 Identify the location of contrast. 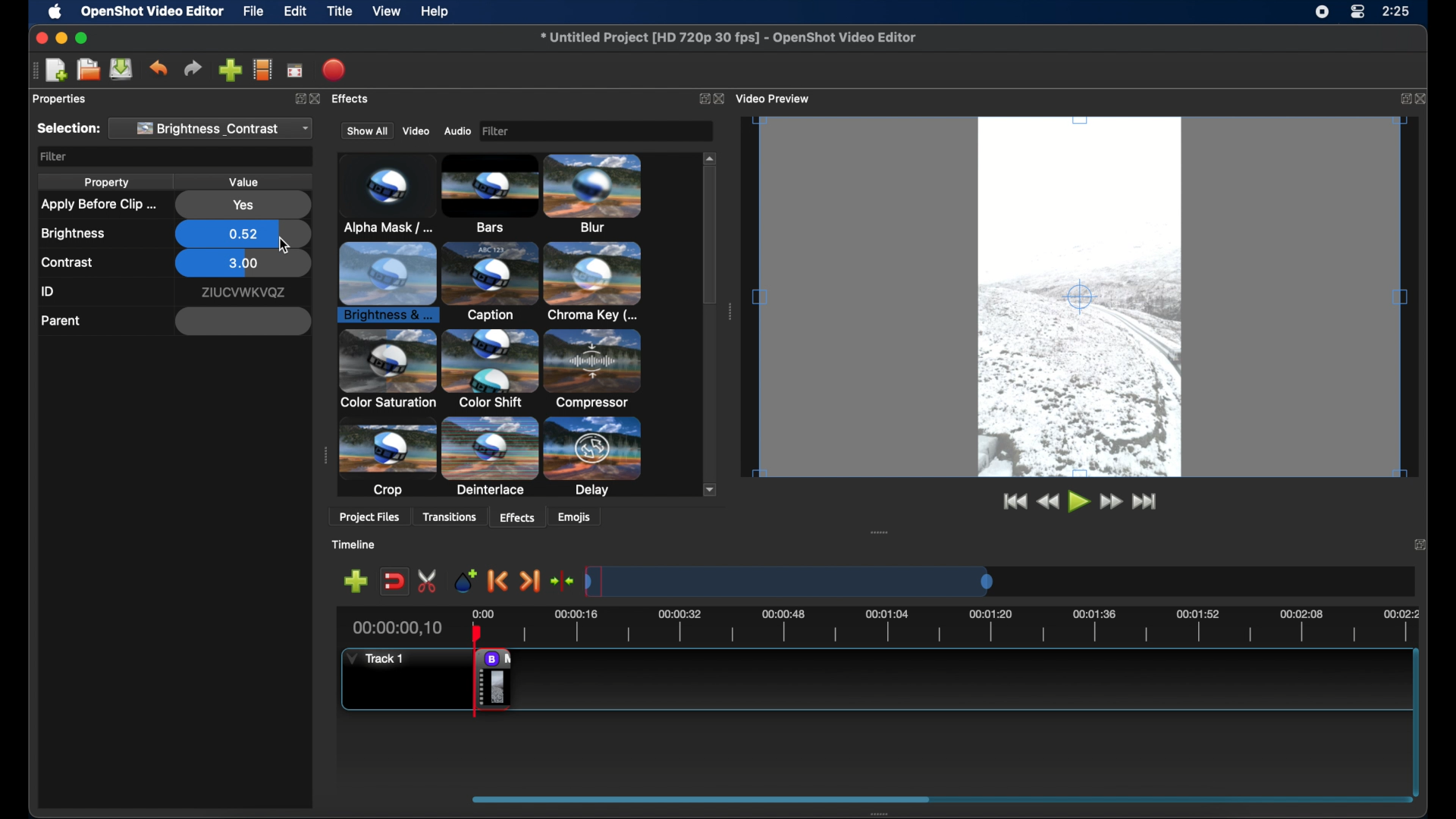
(67, 263).